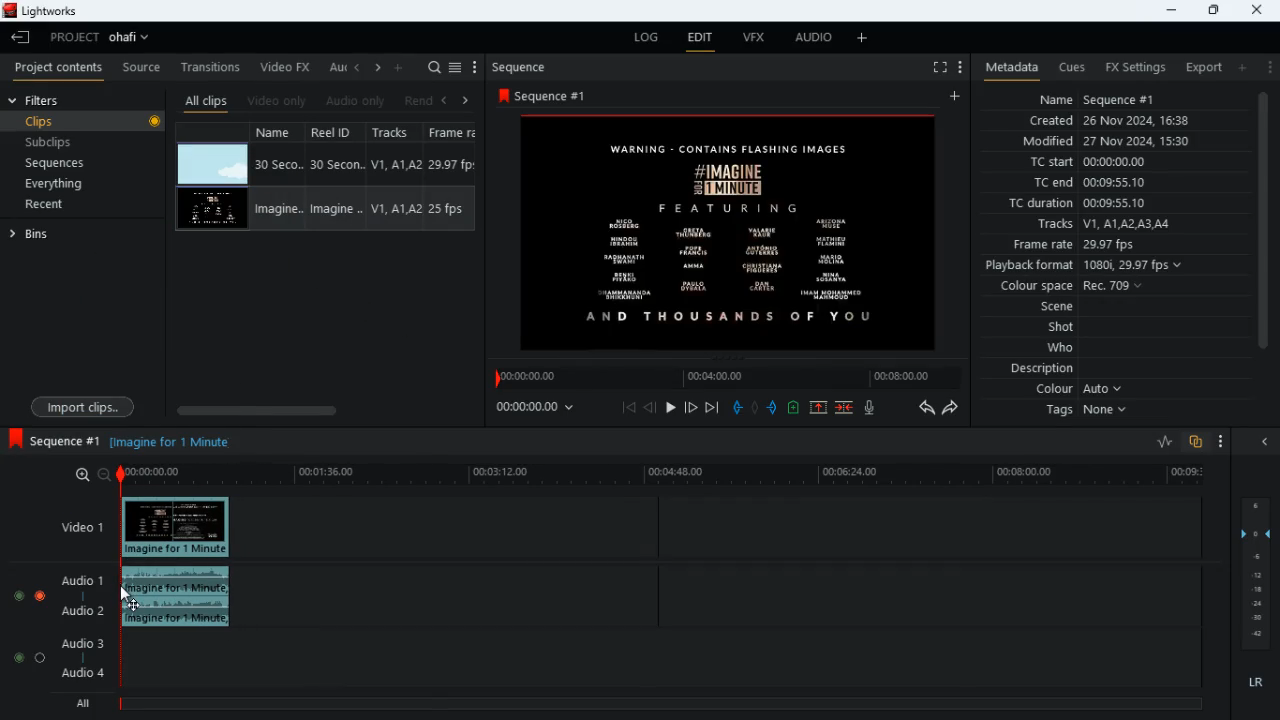  What do you see at coordinates (958, 66) in the screenshot?
I see `more` at bounding box center [958, 66].